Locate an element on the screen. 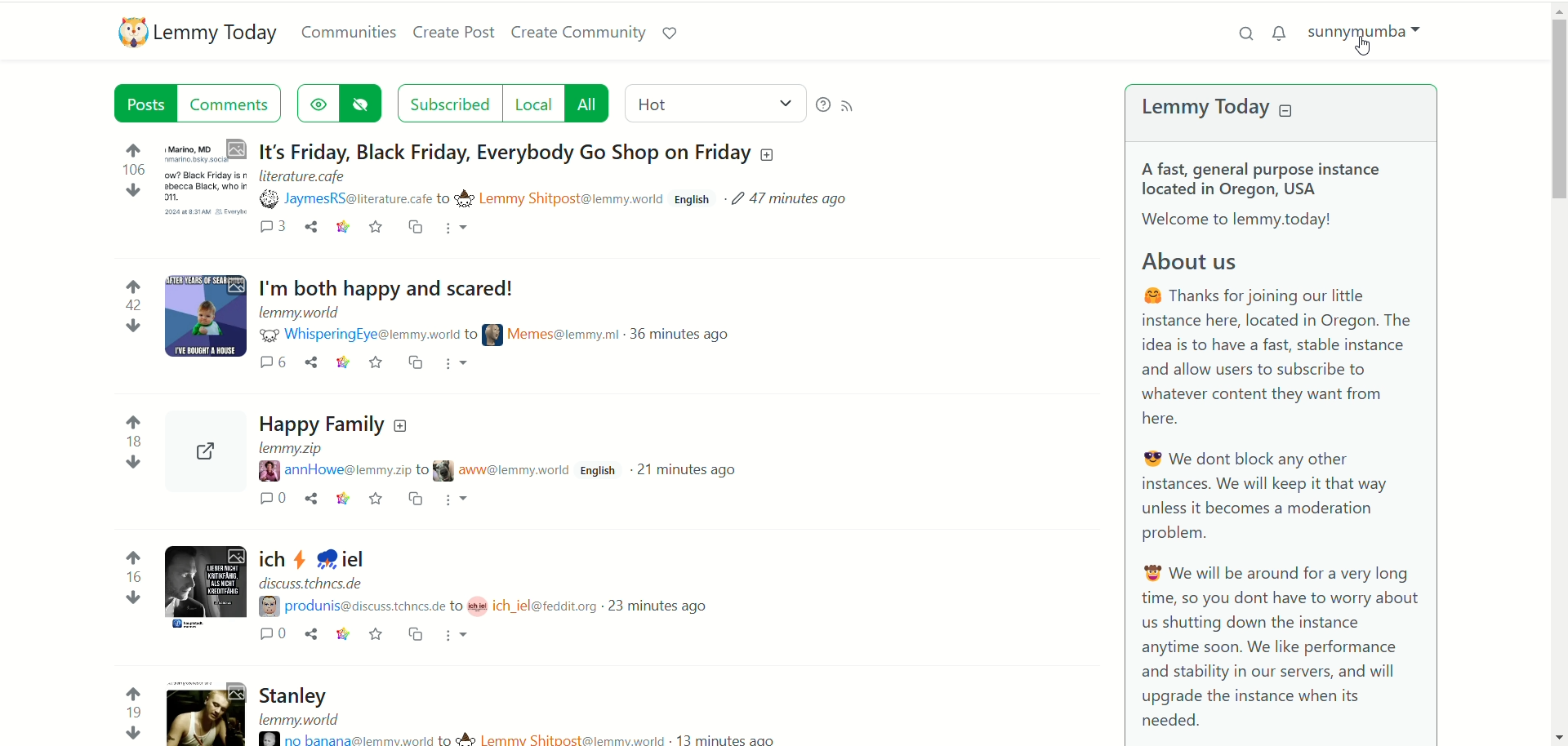 This screenshot has height=746, width=1568. lemmy today is located at coordinates (1202, 109).